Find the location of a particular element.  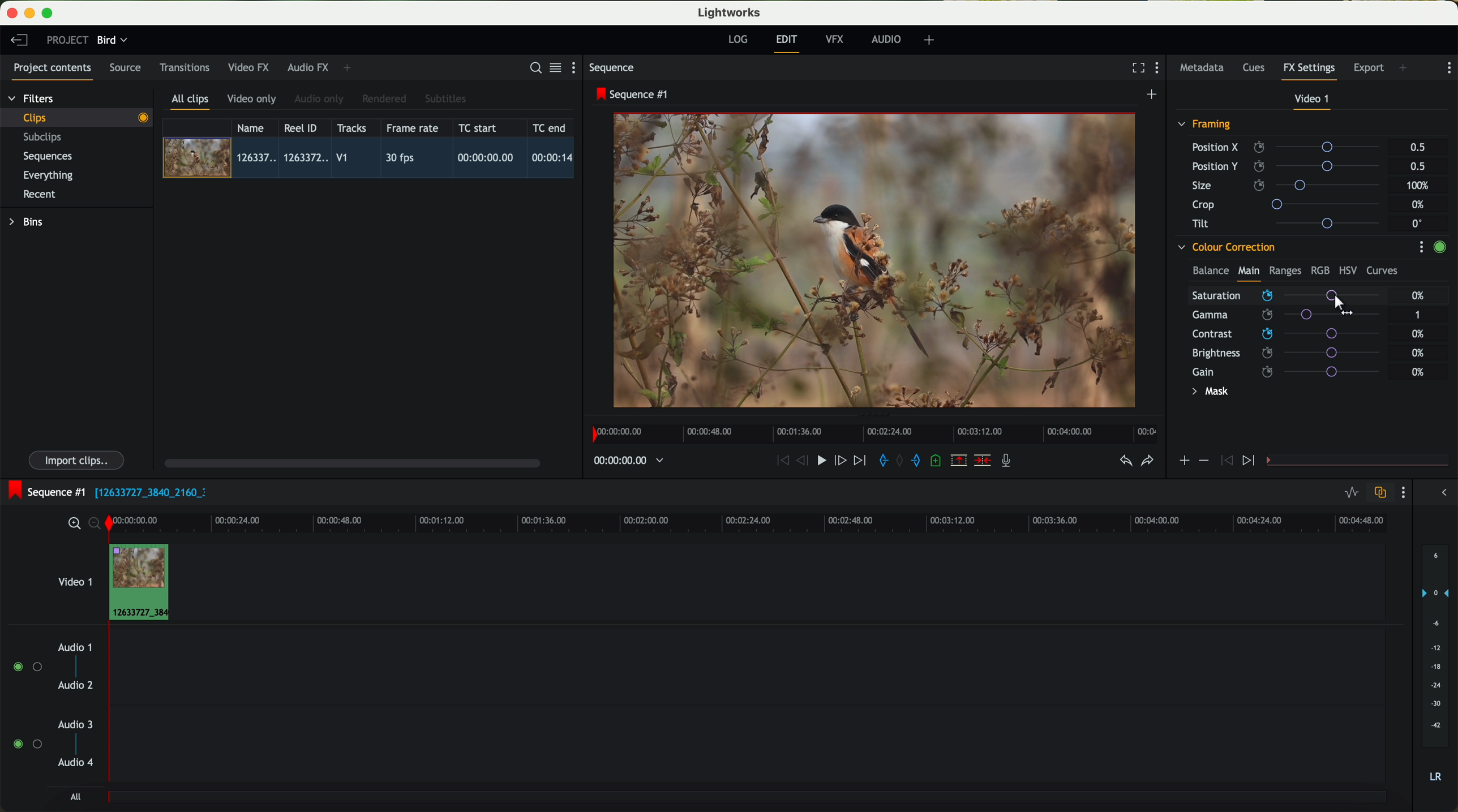

show settings menu is located at coordinates (1448, 68).